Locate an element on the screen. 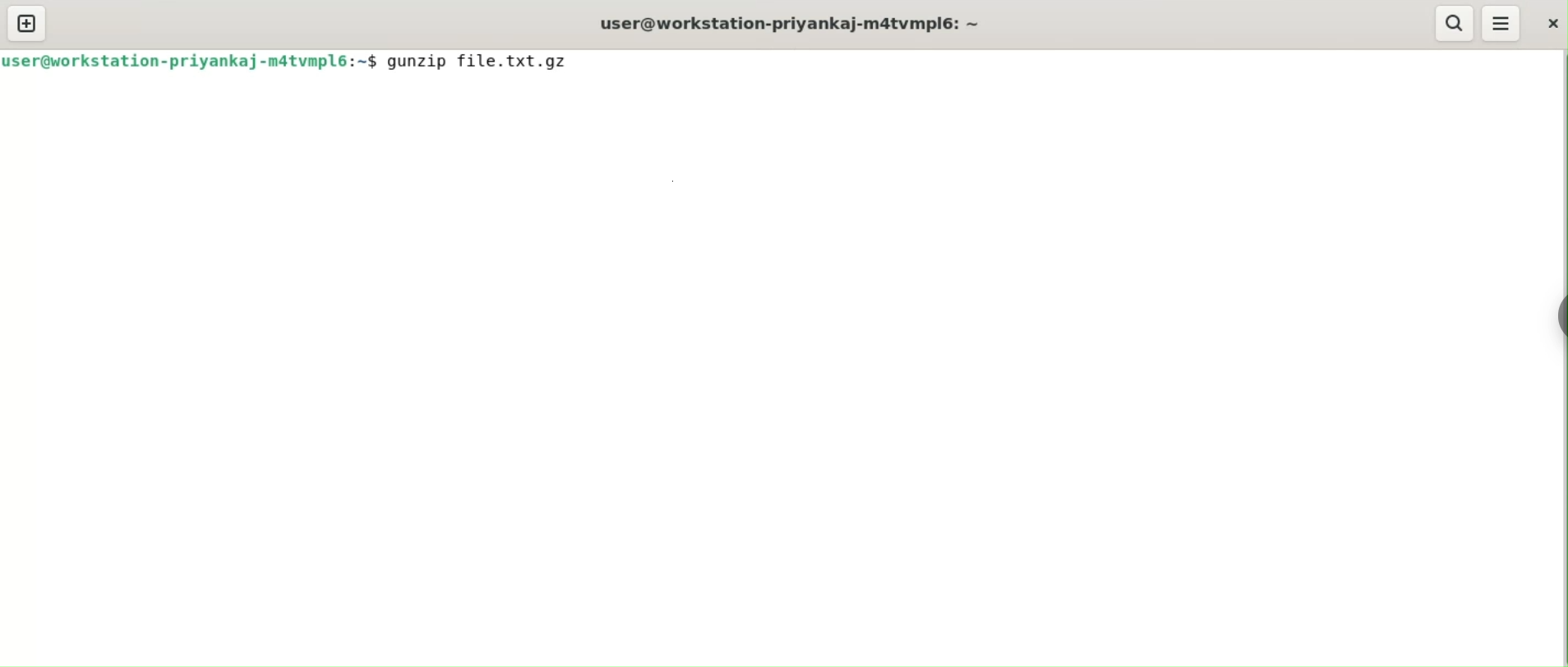 The height and width of the screenshot is (667, 1568).  user@workstation-priyankaj-m4tvmpl6: ~ is located at coordinates (787, 22).